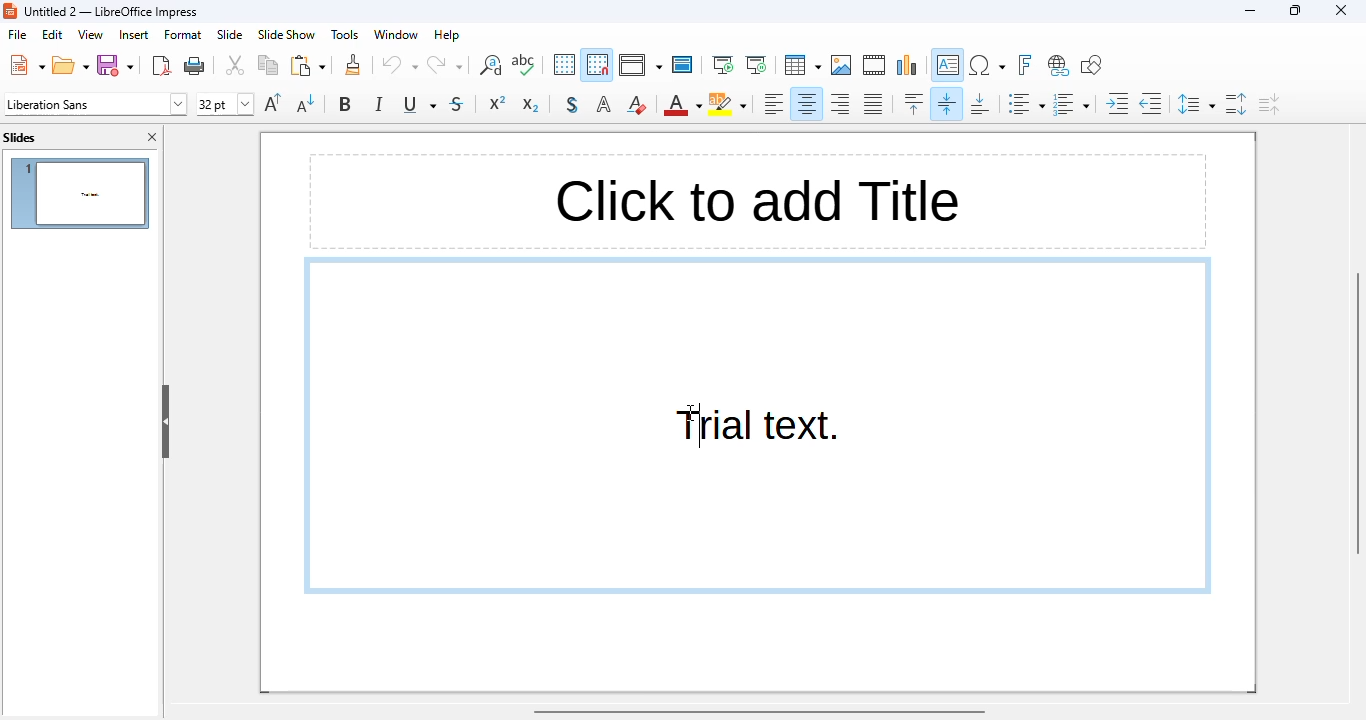  What do you see at coordinates (636, 104) in the screenshot?
I see `clear direct formatting` at bounding box center [636, 104].